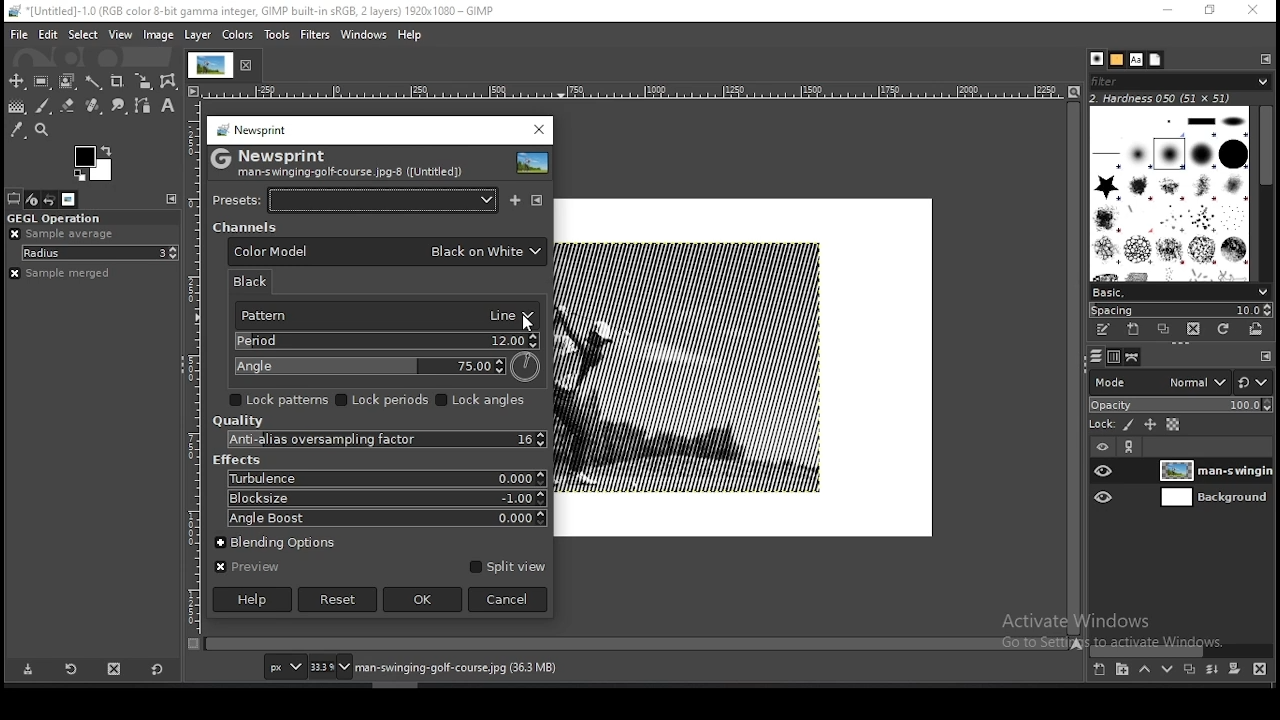 The height and width of the screenshot is (720, 1280). Describe the element at coordinates (42, 82) in the screenshot. I see `rectangle select tool` at that location.